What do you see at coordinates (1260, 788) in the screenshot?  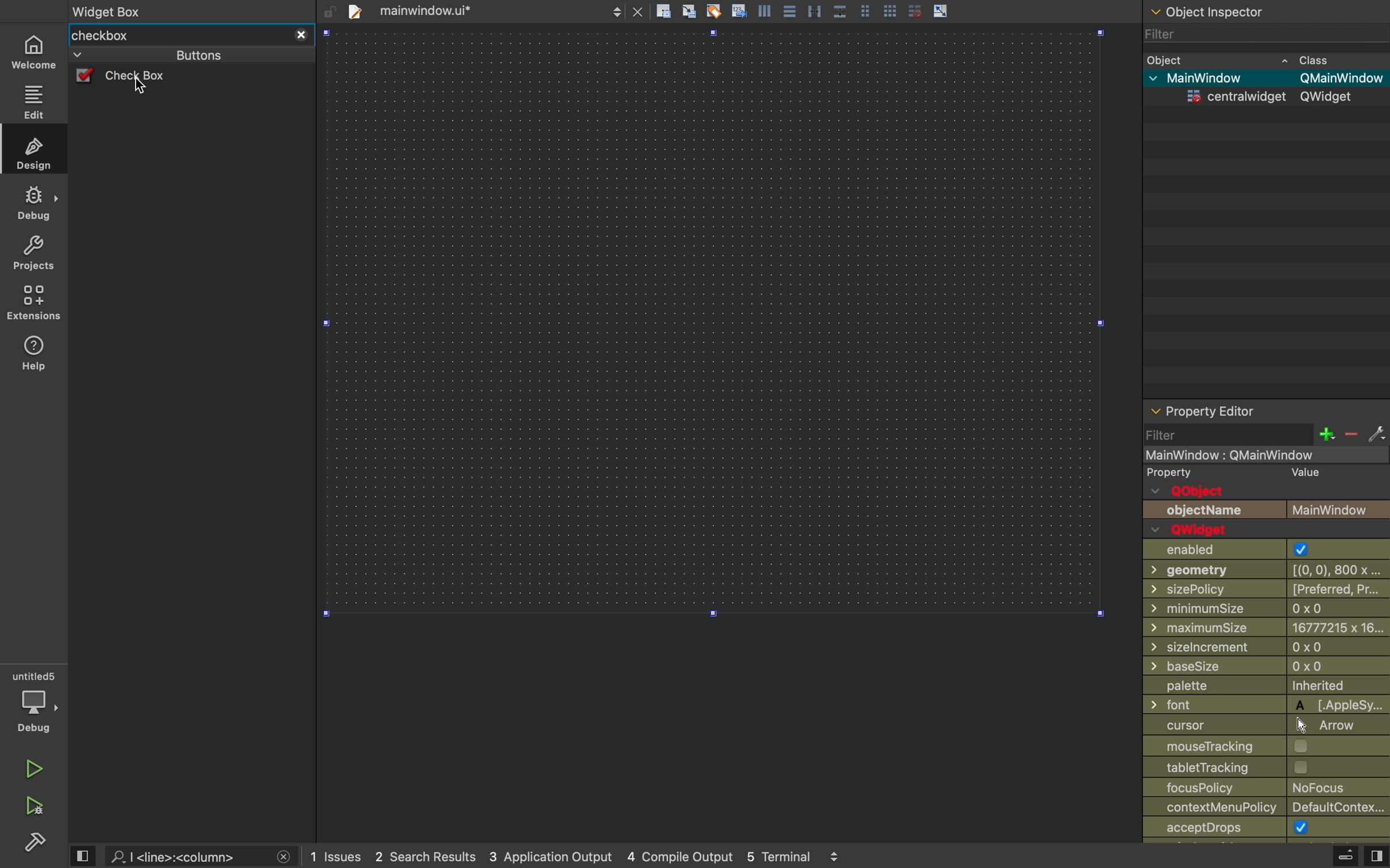 I see `focus policy` at bounding box center [1260, 788].